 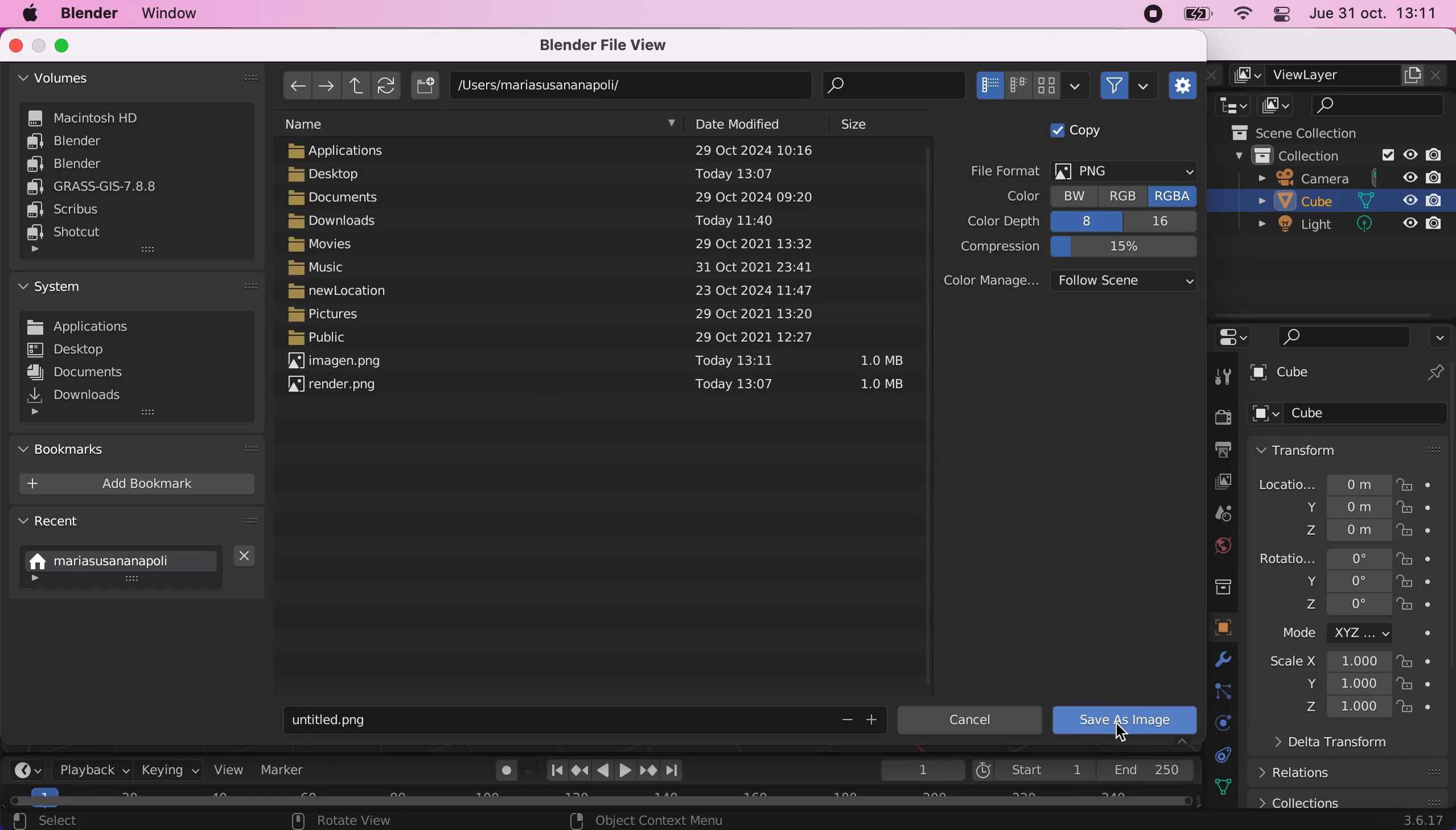 What do you see at coordinates (1331, 685) in the screenshot?
I see `scale measures` at bounding box center [1331, 685].